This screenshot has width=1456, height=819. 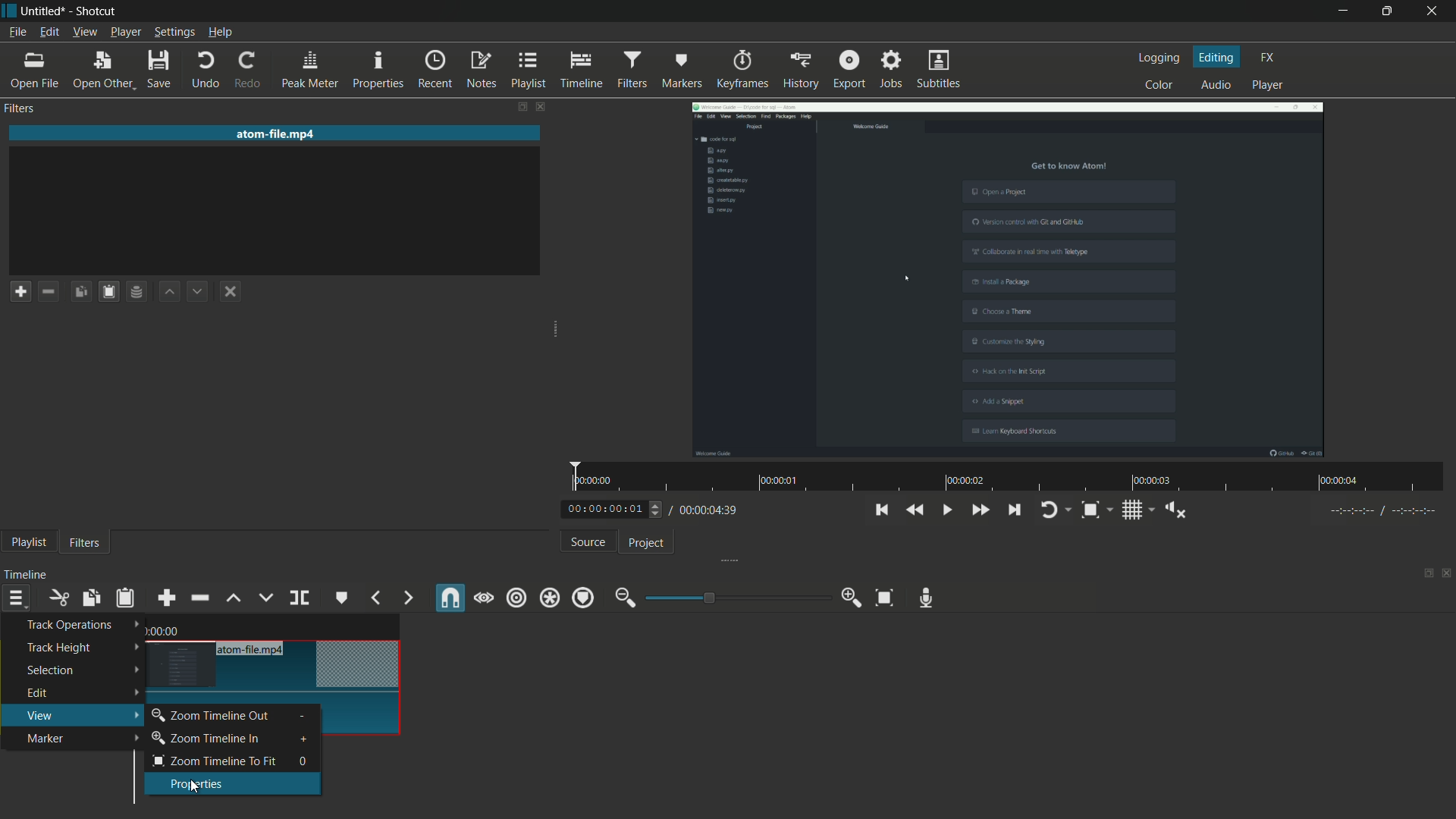 I want to click on in point, so click(x=1384, y=511).